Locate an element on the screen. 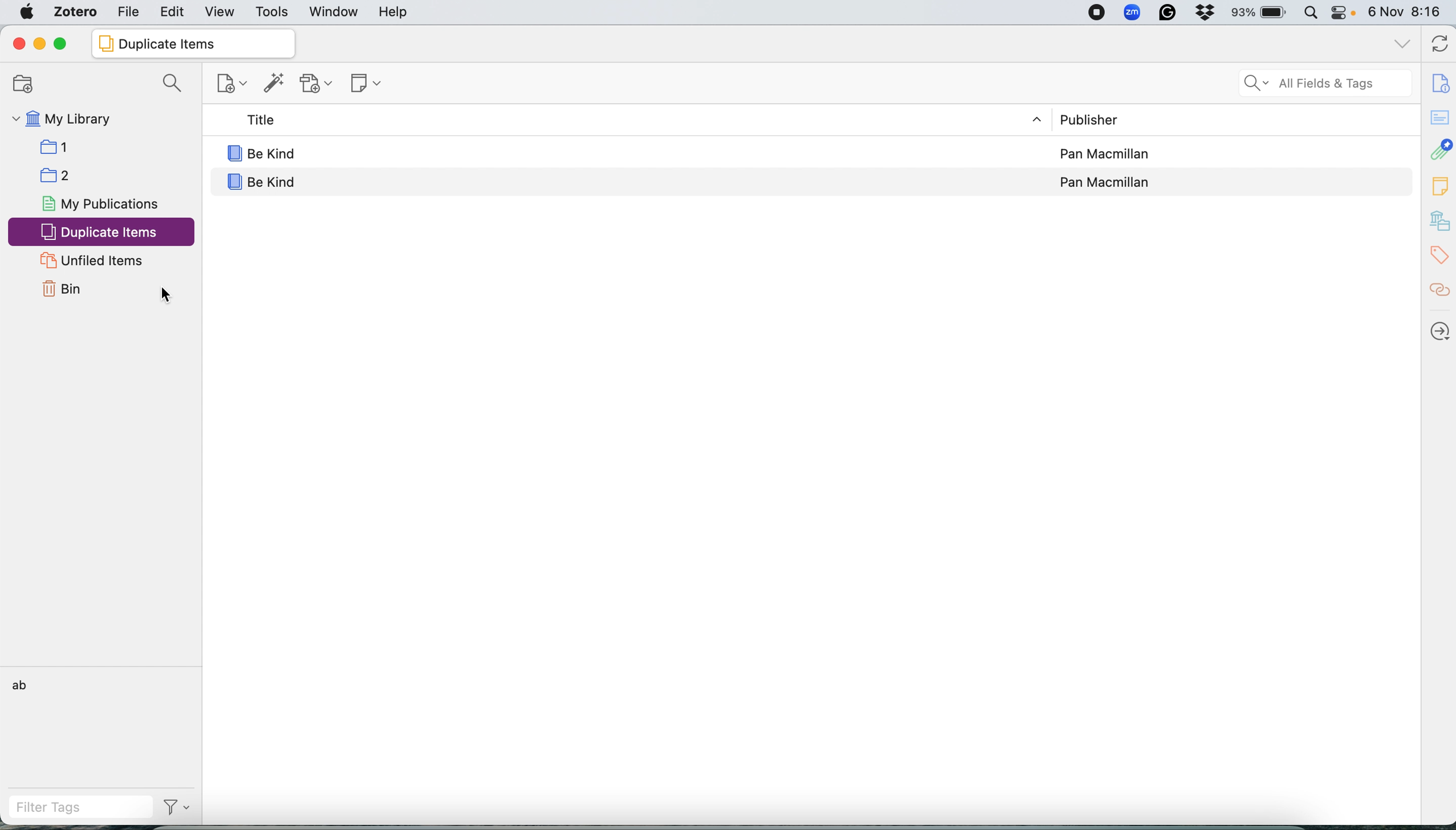  zotero is located at coordinates (78, 13).